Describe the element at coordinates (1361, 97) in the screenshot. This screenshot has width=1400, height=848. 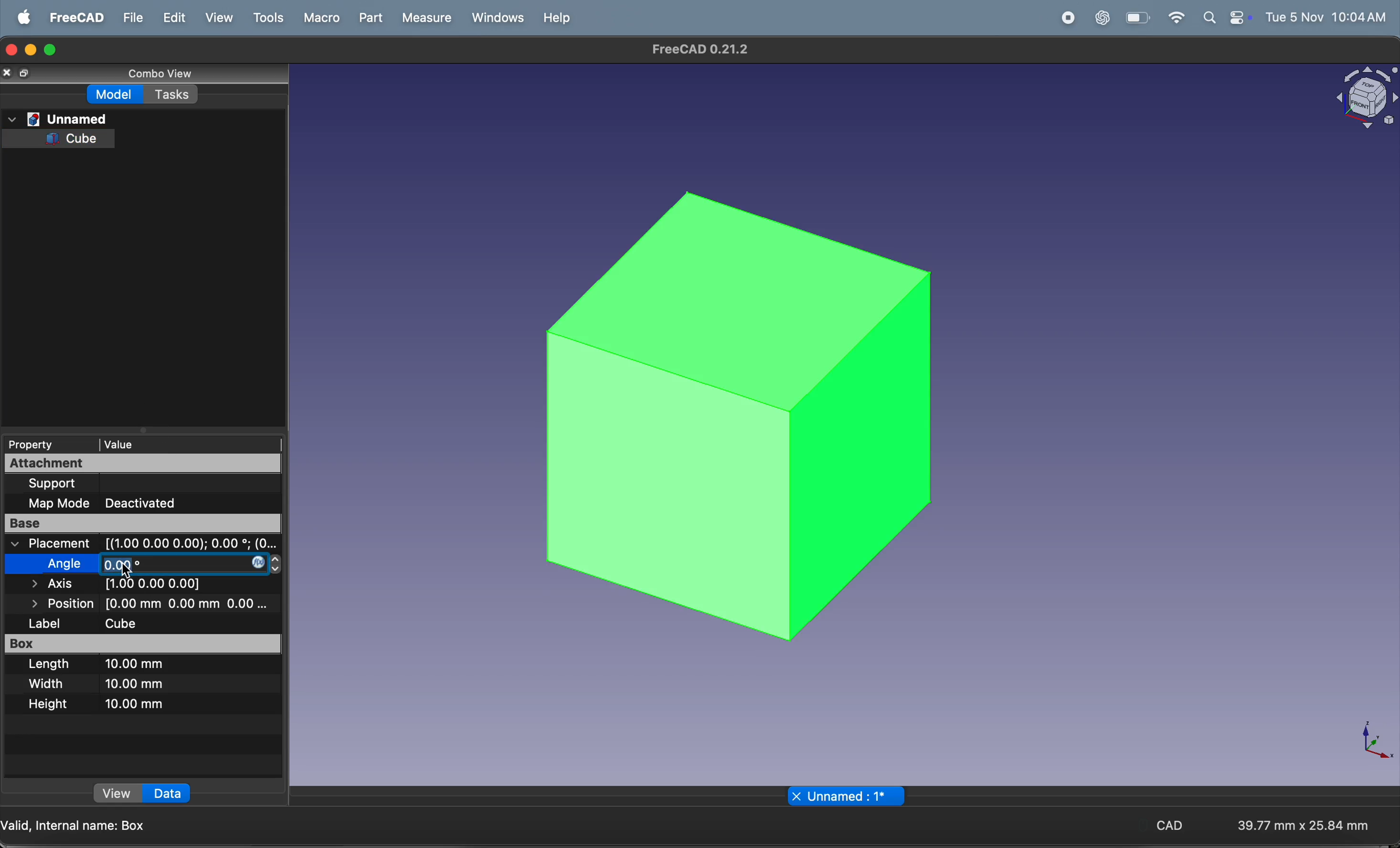
I see `` at that location.